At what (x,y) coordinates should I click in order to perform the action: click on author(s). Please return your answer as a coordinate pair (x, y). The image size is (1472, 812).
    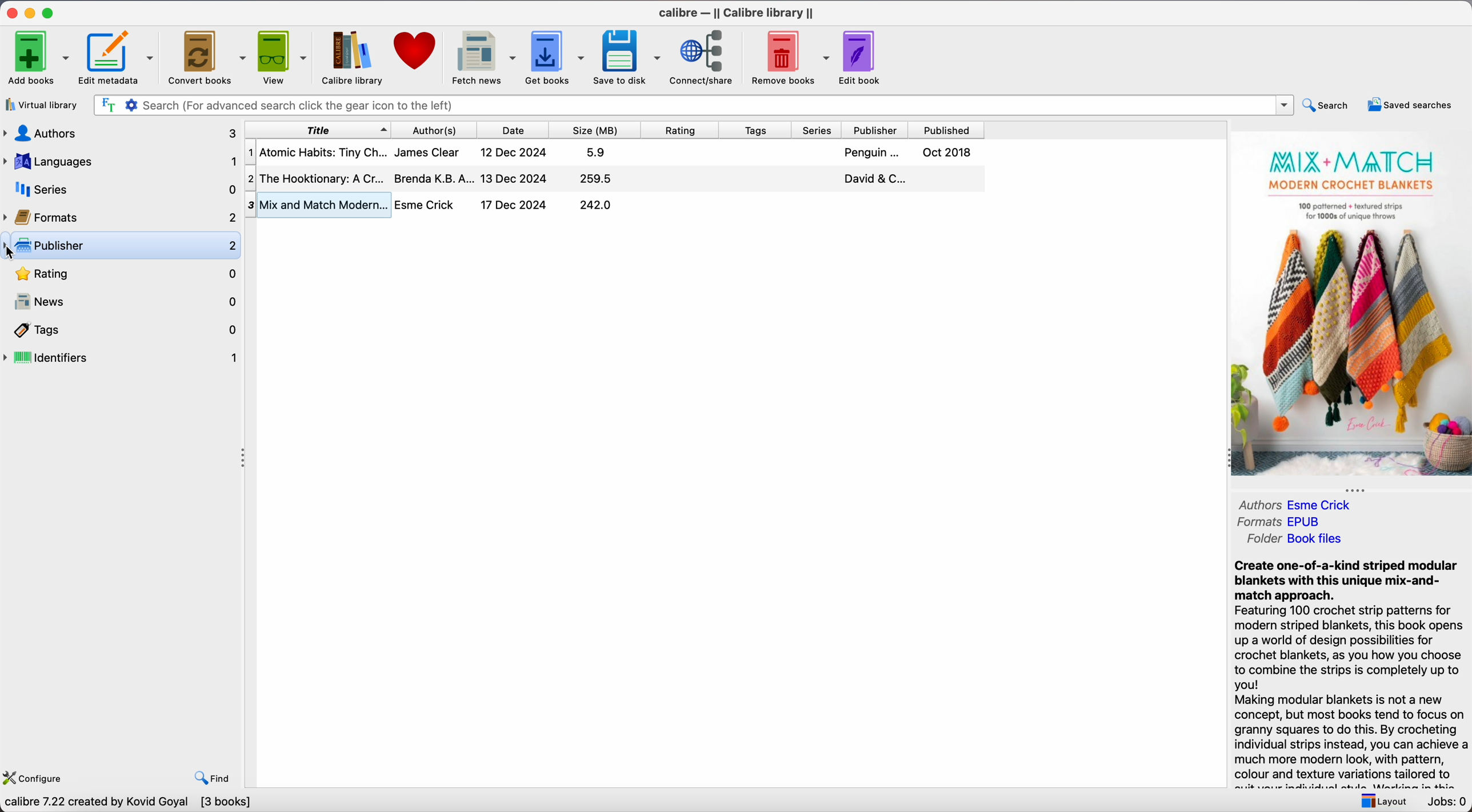
    Looking at the image, I should click on (439, 129).